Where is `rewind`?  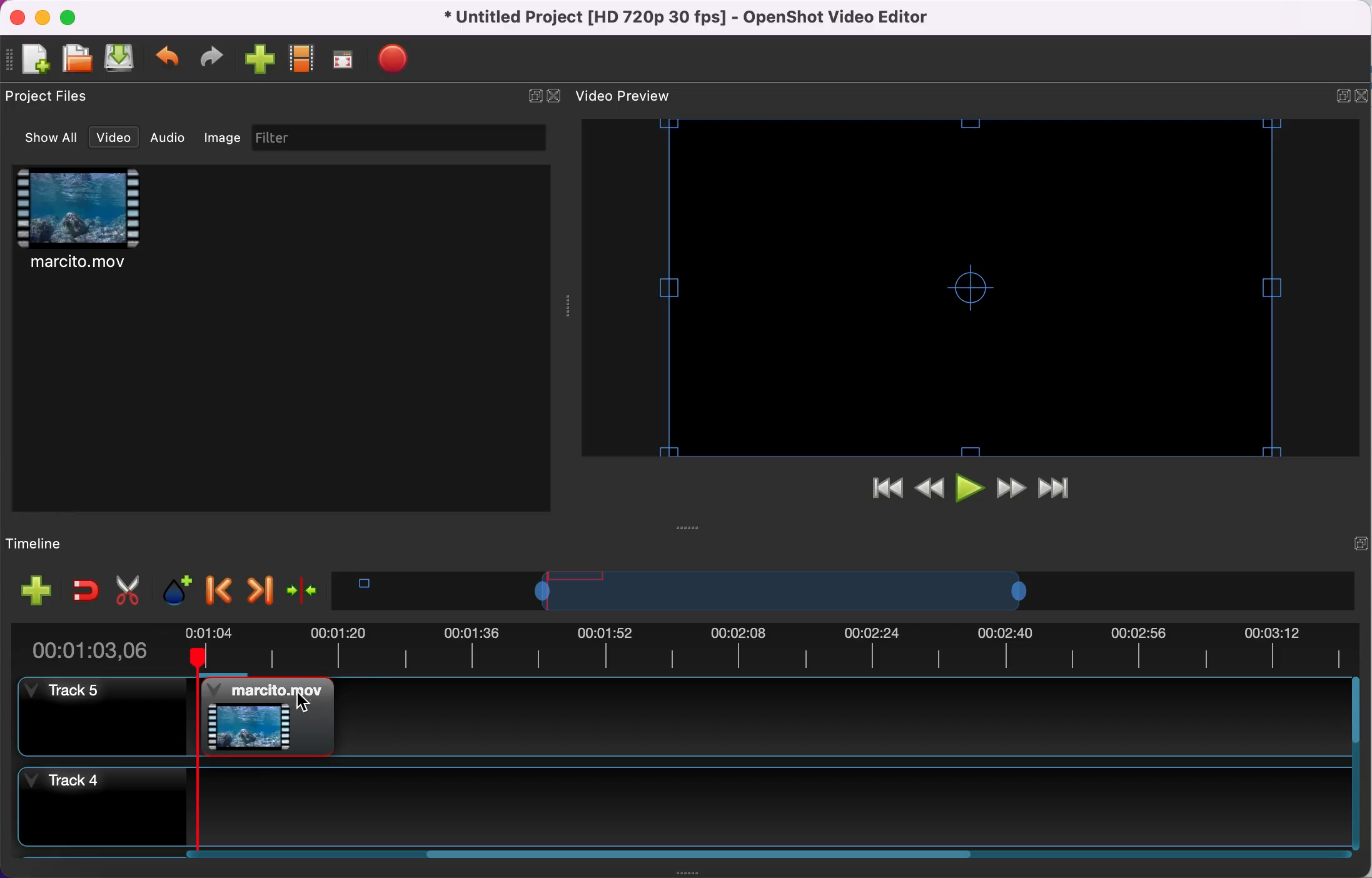 rewind is located at coordinates (932, 492).